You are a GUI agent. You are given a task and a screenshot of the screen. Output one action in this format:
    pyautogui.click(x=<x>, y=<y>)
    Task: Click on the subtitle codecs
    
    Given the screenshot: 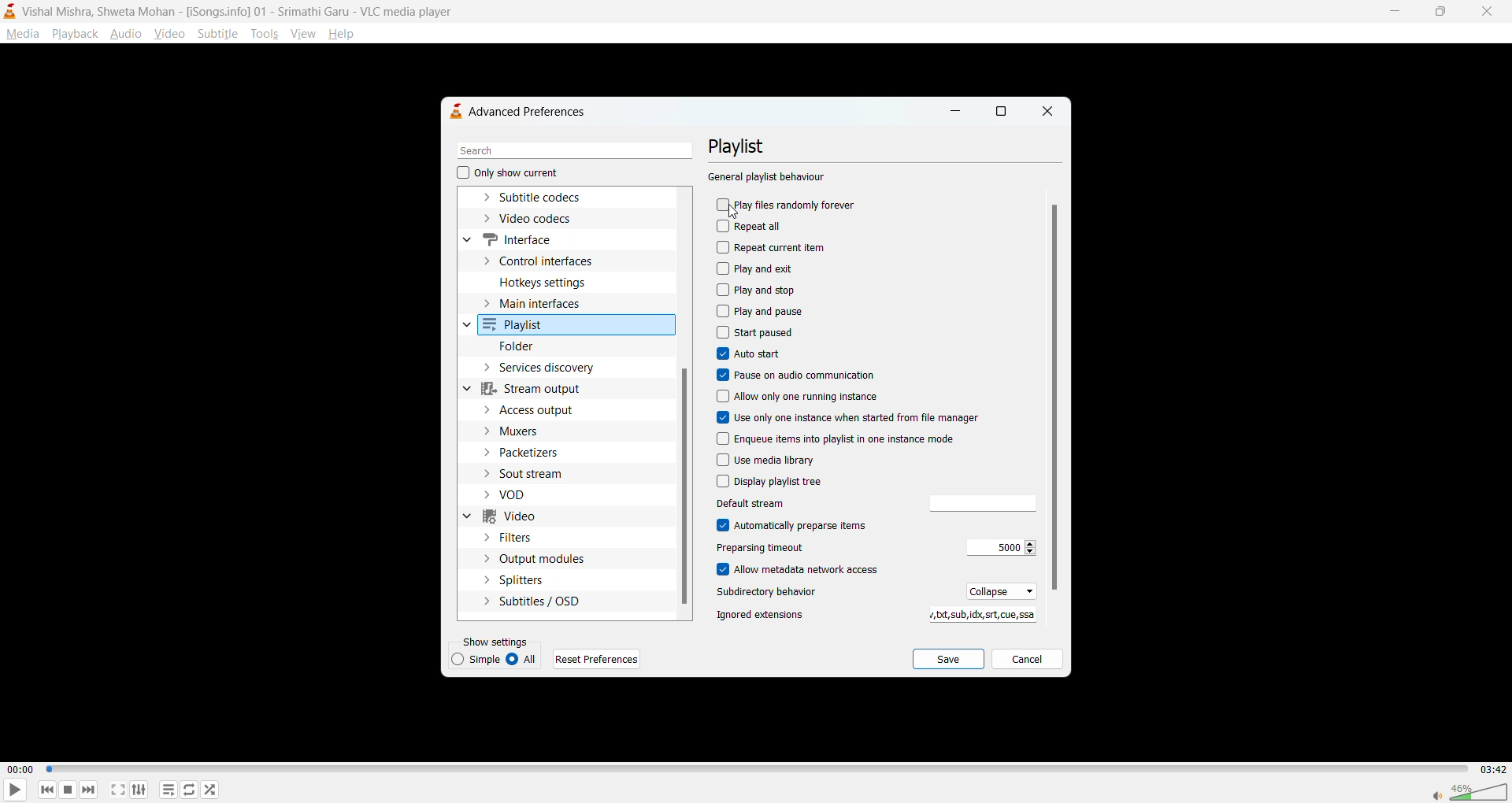 What is the action you would take?
    pyautogui.click(x=546, y=198)
    